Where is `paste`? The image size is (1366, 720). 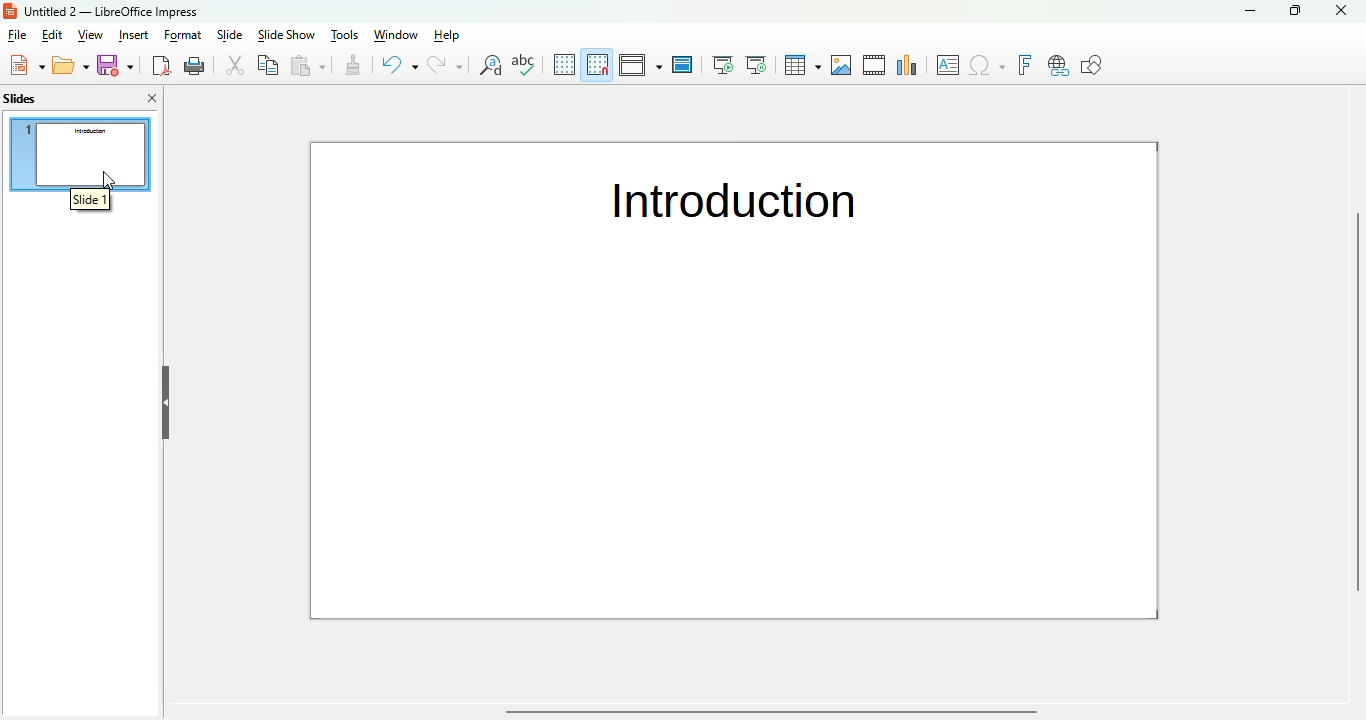
paste is located at coordinates (309, 65).